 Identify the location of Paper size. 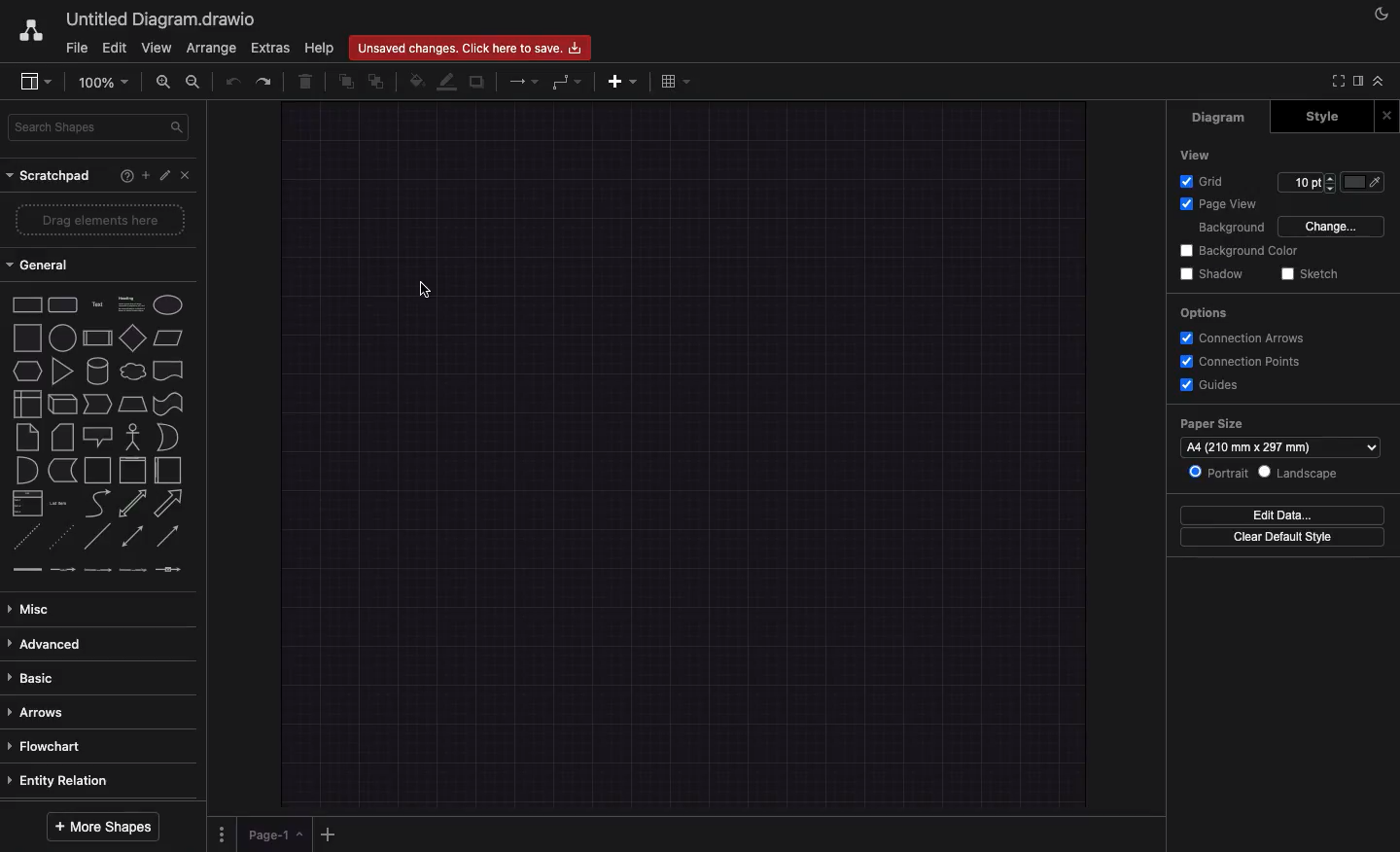
(1281, 445).